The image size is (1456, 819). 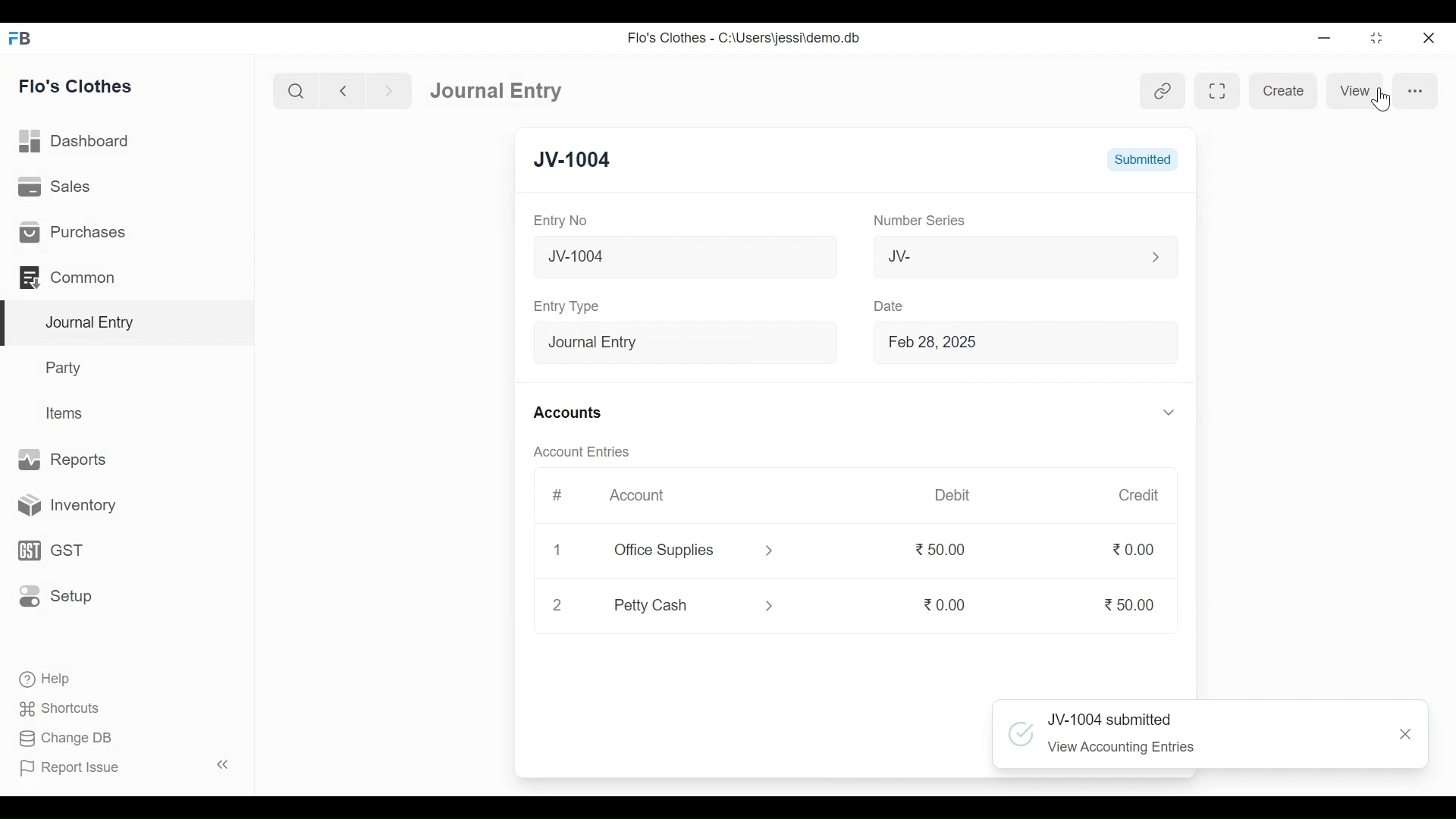 I want to click on Reports, so click(x=64, y=458).